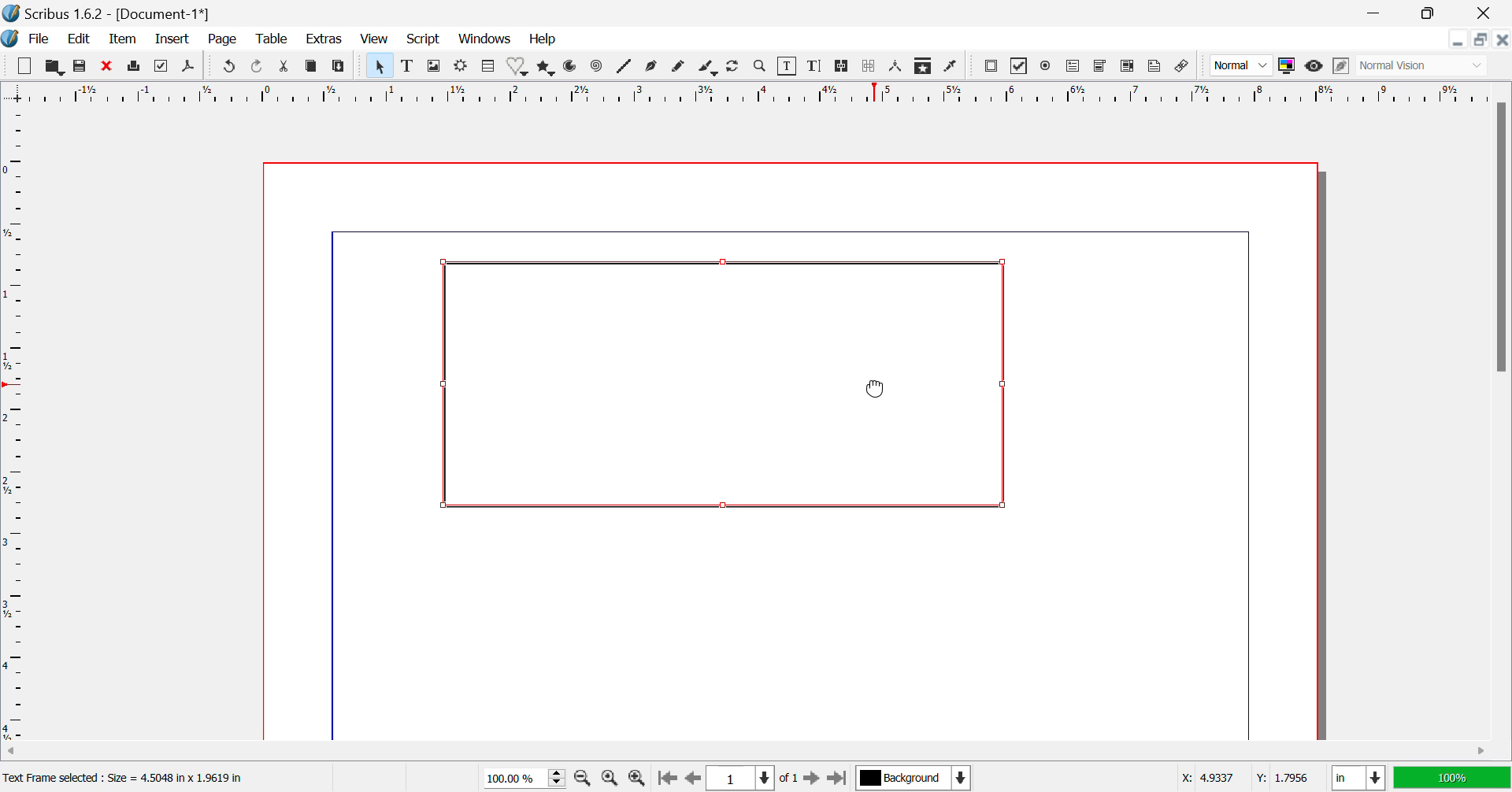  What do you see at coordinates (375, 40) in the screenshot?
I see `View` at bounding box center [375, 40].